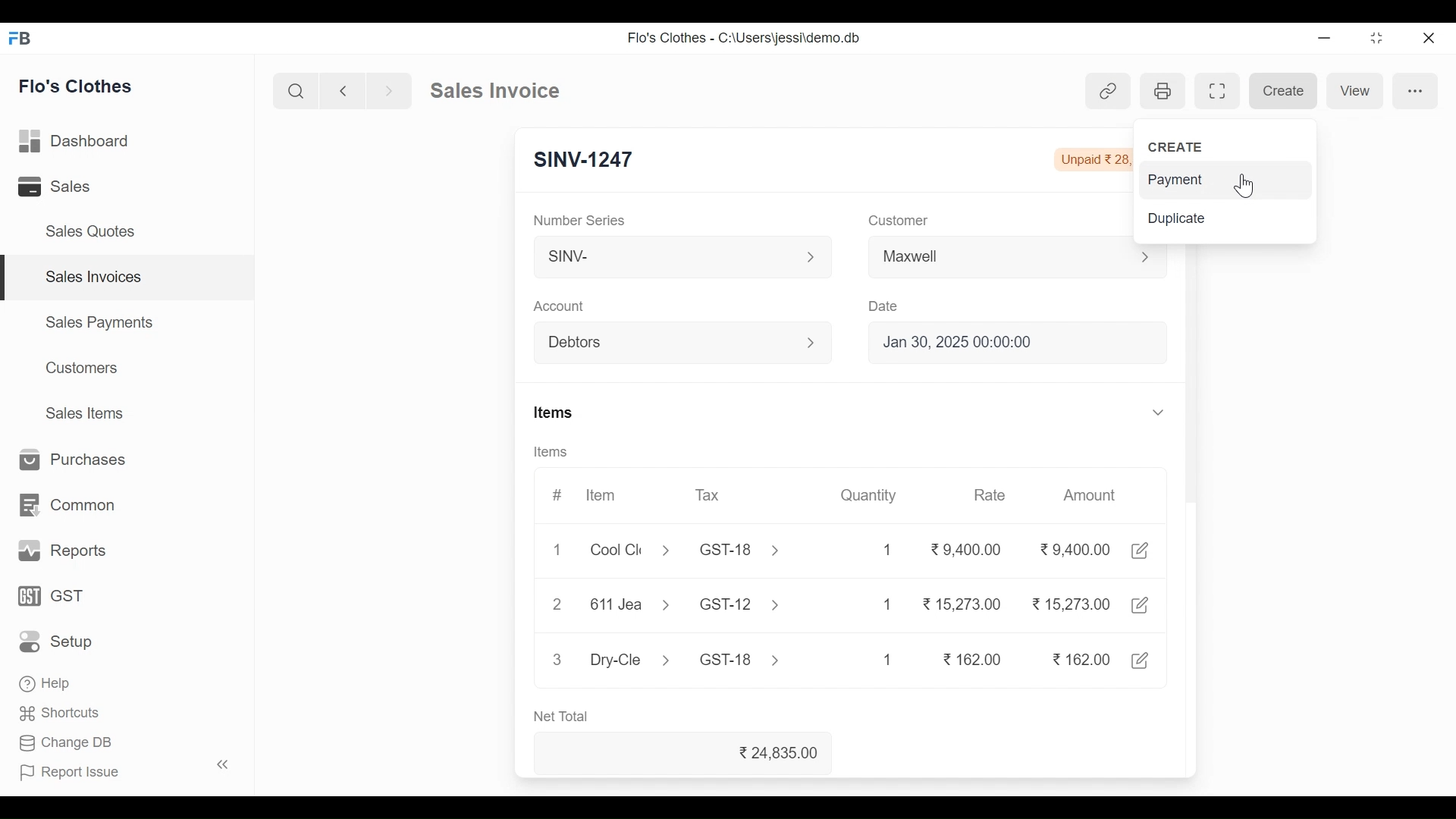 Image resolution: width=1456 pixels, height=819 pixels. What do you see at coordinates (1071, 603) in the screenshot?
I see `15,273.00` at bounding box center [1071, 603].